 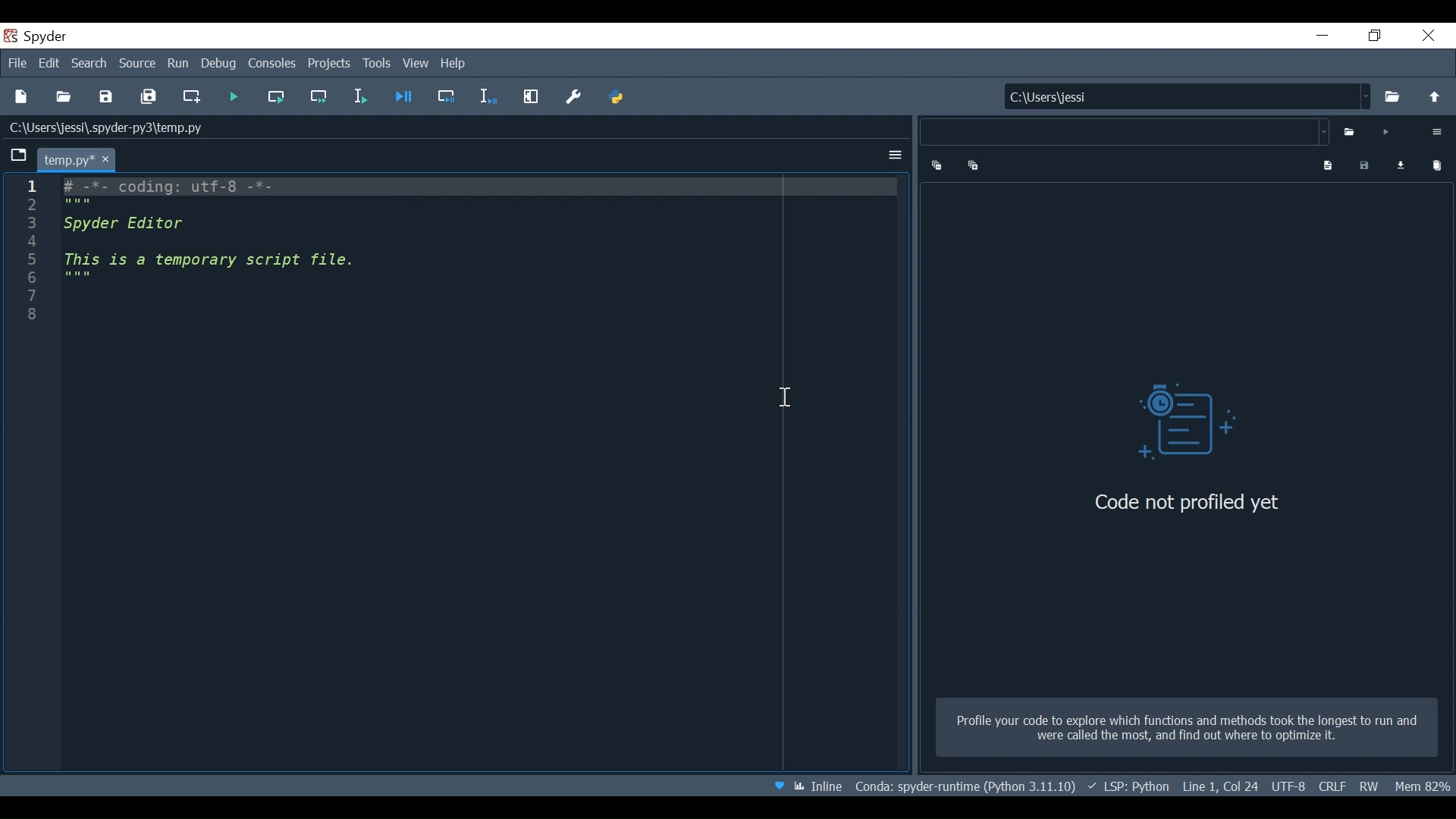 What do you see at coordinates (1326, 165) in the screenshot?
I see `Show program output` at bounding box center [1326, 165].